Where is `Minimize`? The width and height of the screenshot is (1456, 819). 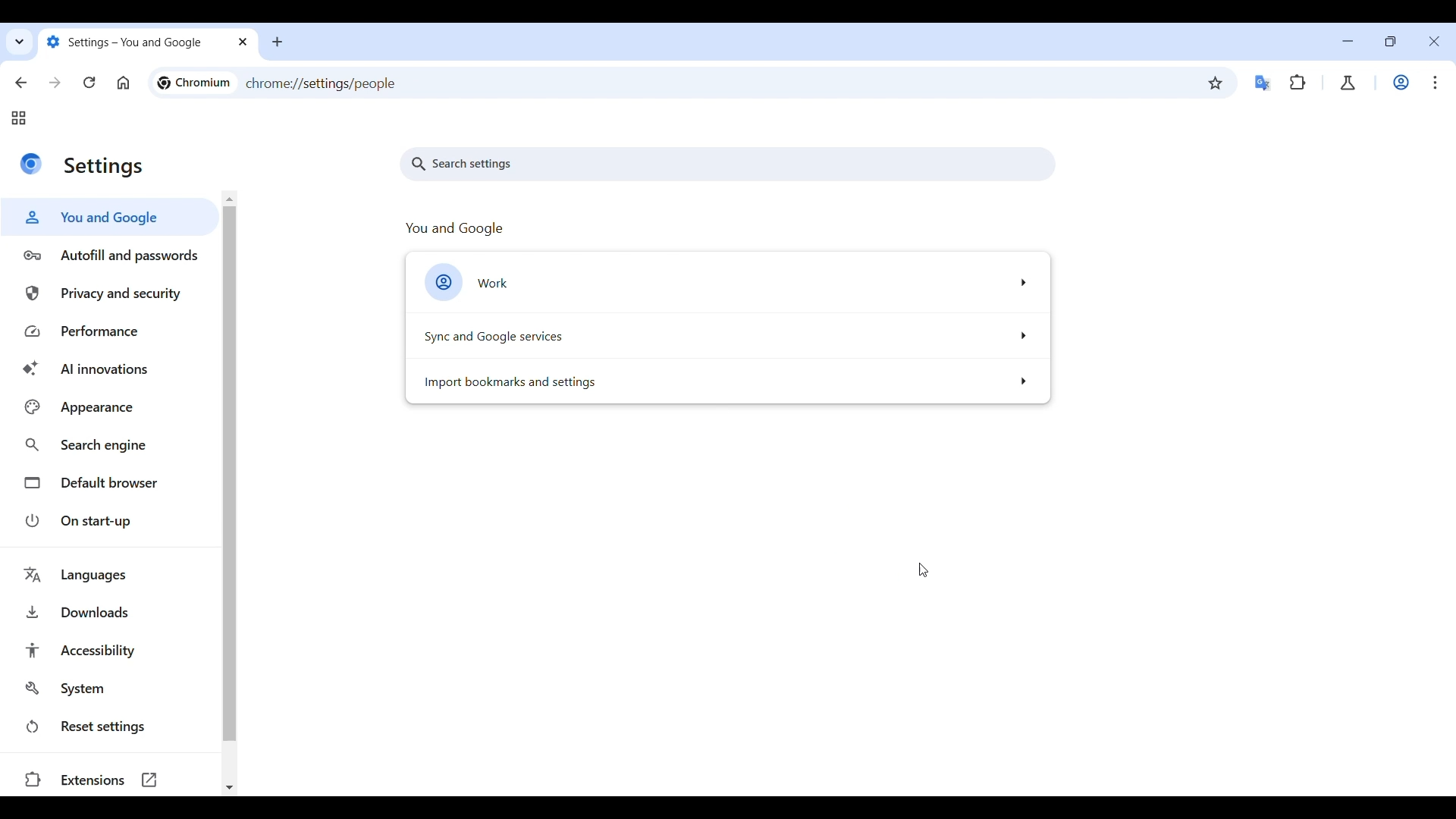
Minimize is located at coordinates (1348, 41).